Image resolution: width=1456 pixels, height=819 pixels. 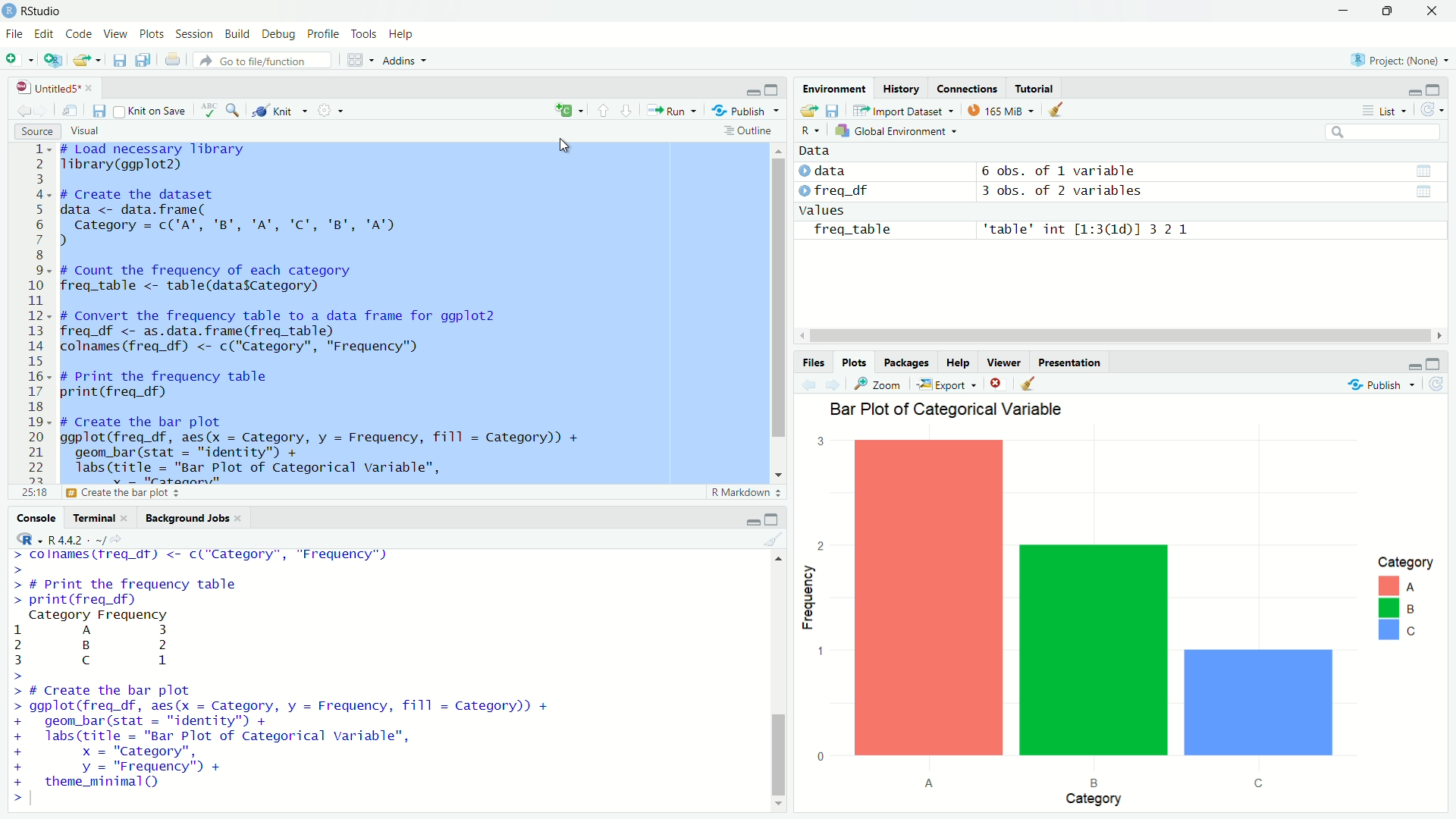 What do you see at coordinates (772, 519) in the screenshot?
I see `maximize` at bounding box center [772, 519].